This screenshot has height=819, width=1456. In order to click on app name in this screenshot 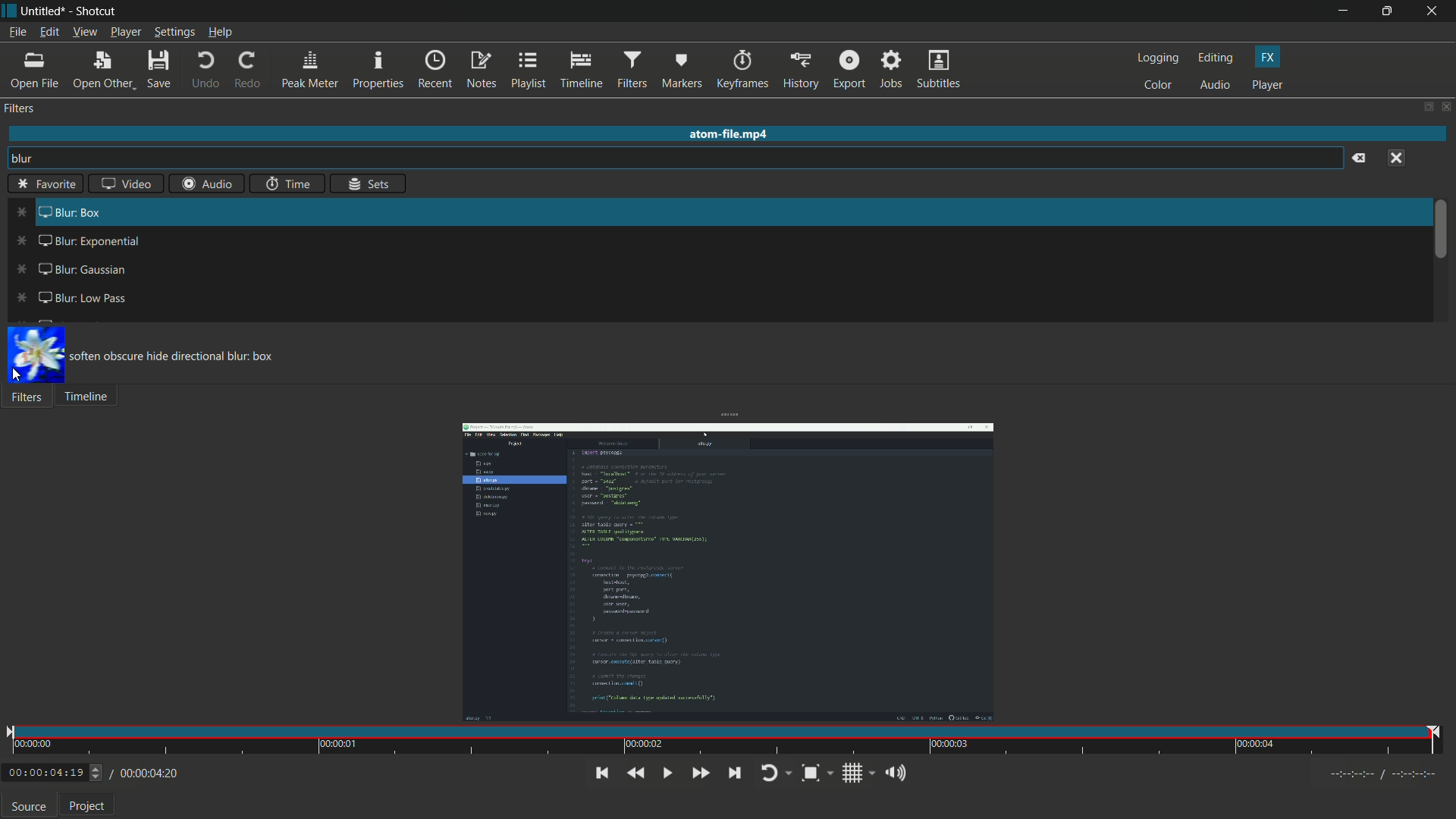, I will do `click(94, 13)`.